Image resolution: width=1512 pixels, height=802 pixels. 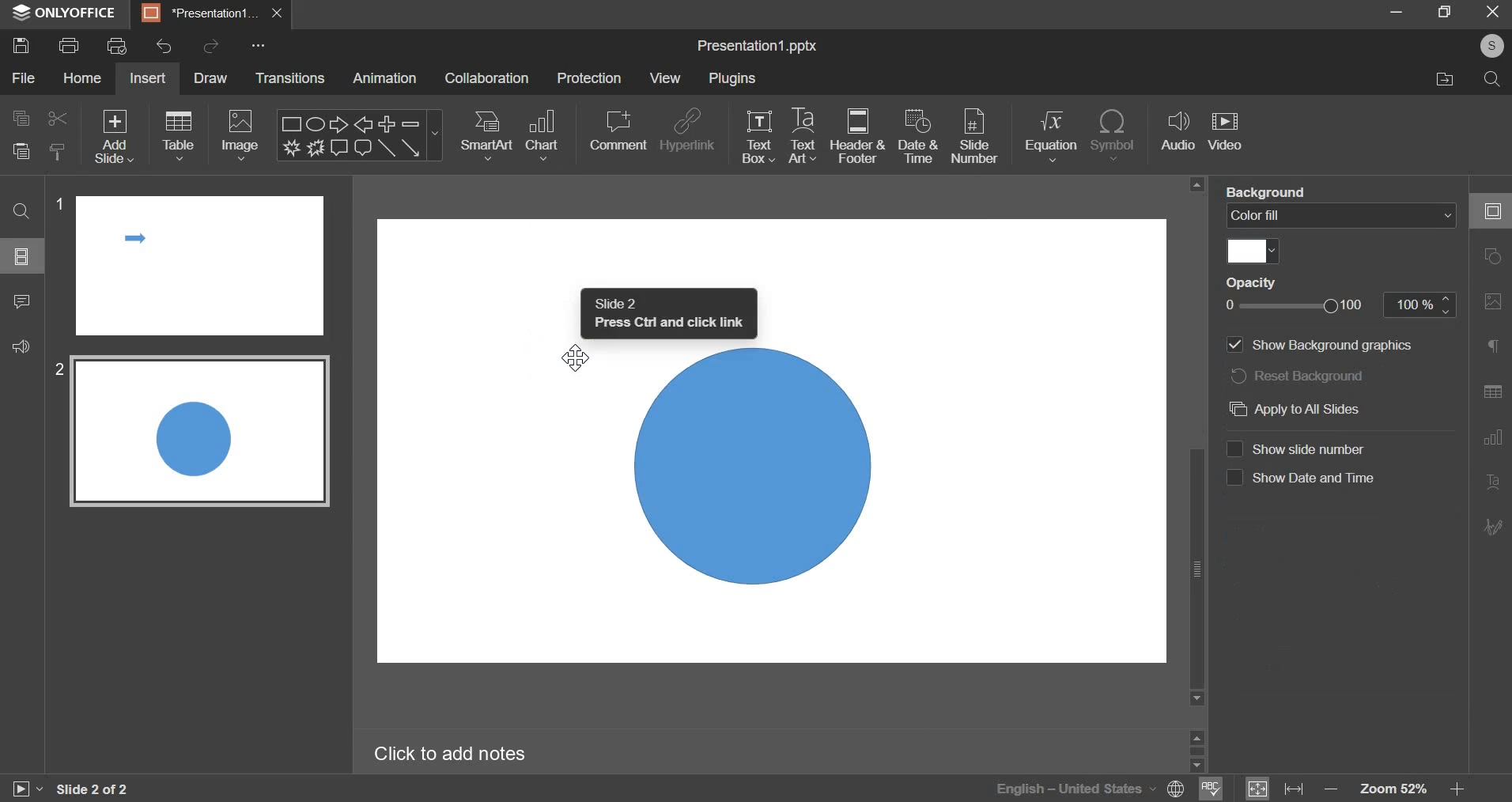 I want to click on 2, so click(x=59, y=370).